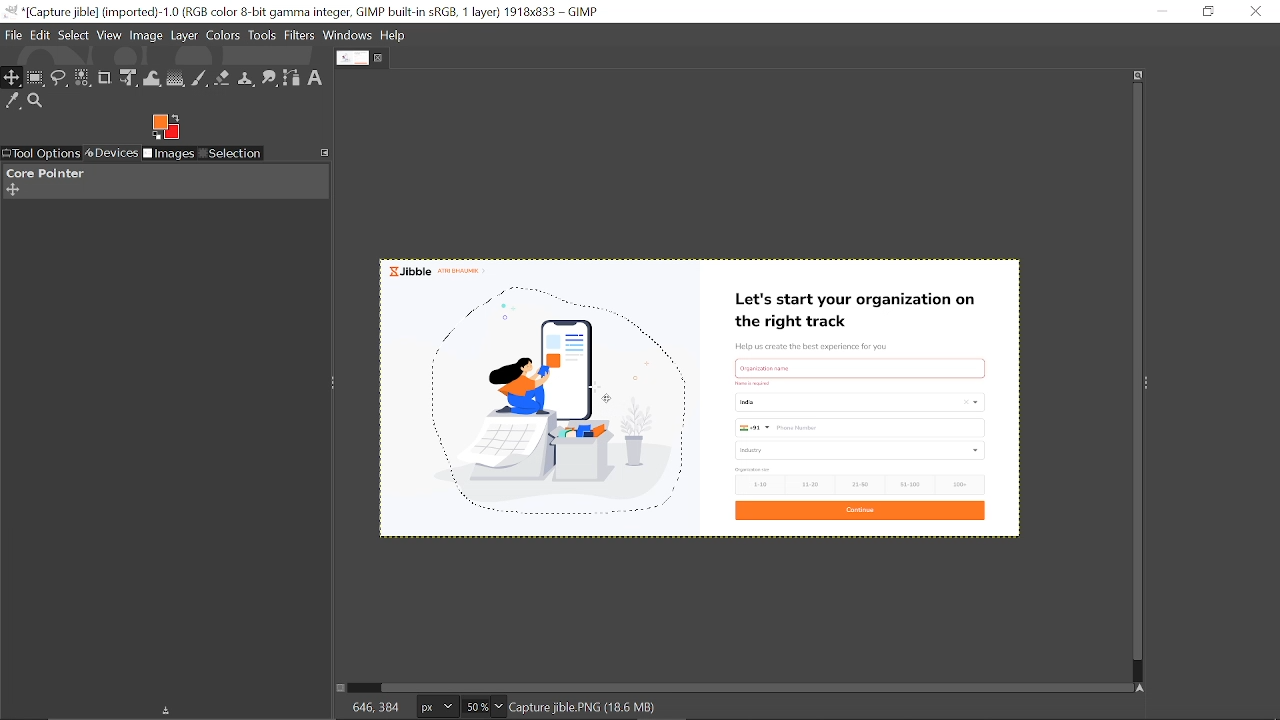 Image resolution: width=1280 pixels, height=720 pixels. What do you see at coordinates (380, 58) in the screenshot?
I see `Close tab` at bounding box center [380, 58].